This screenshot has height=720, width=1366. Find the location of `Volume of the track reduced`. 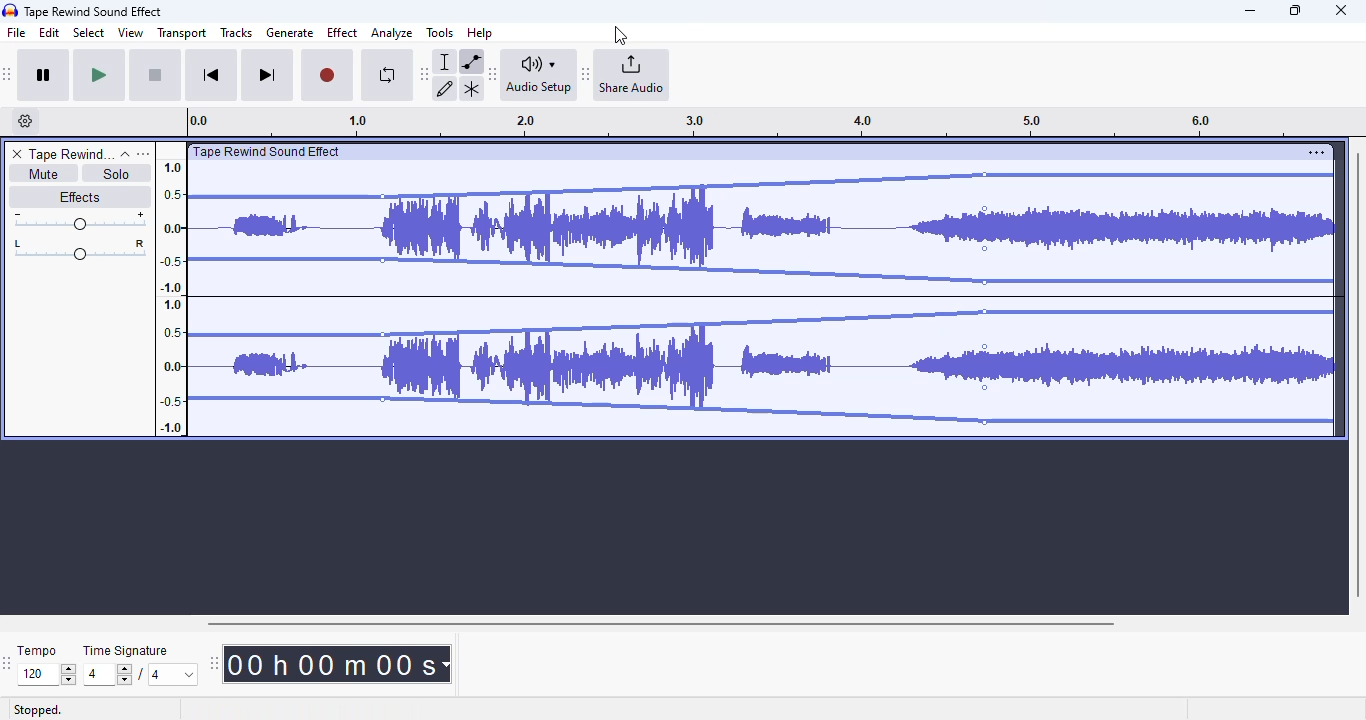

Volume of the track reduced is located at coordinates (280, 290).